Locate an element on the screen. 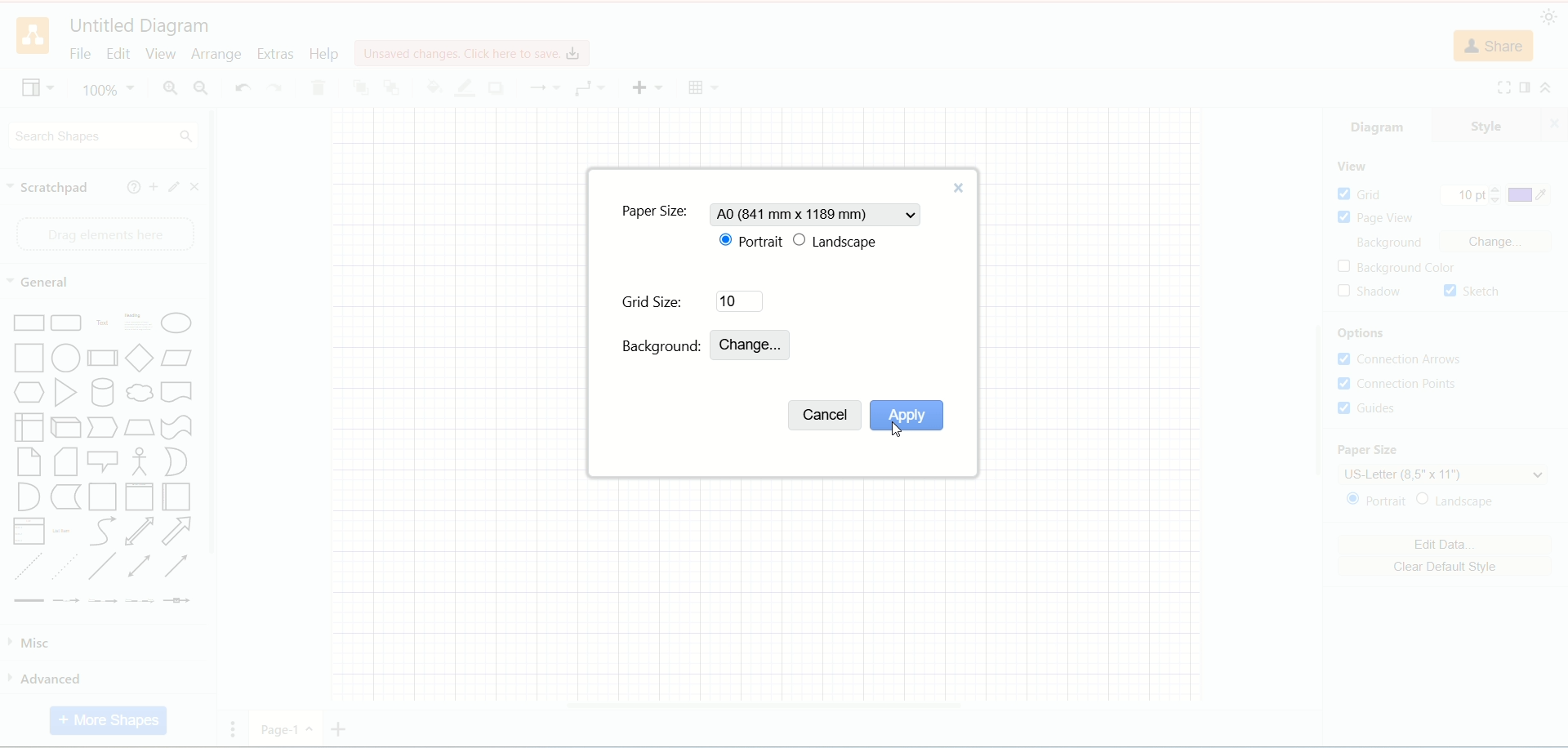  grid is located at coordinates (1361, 194).